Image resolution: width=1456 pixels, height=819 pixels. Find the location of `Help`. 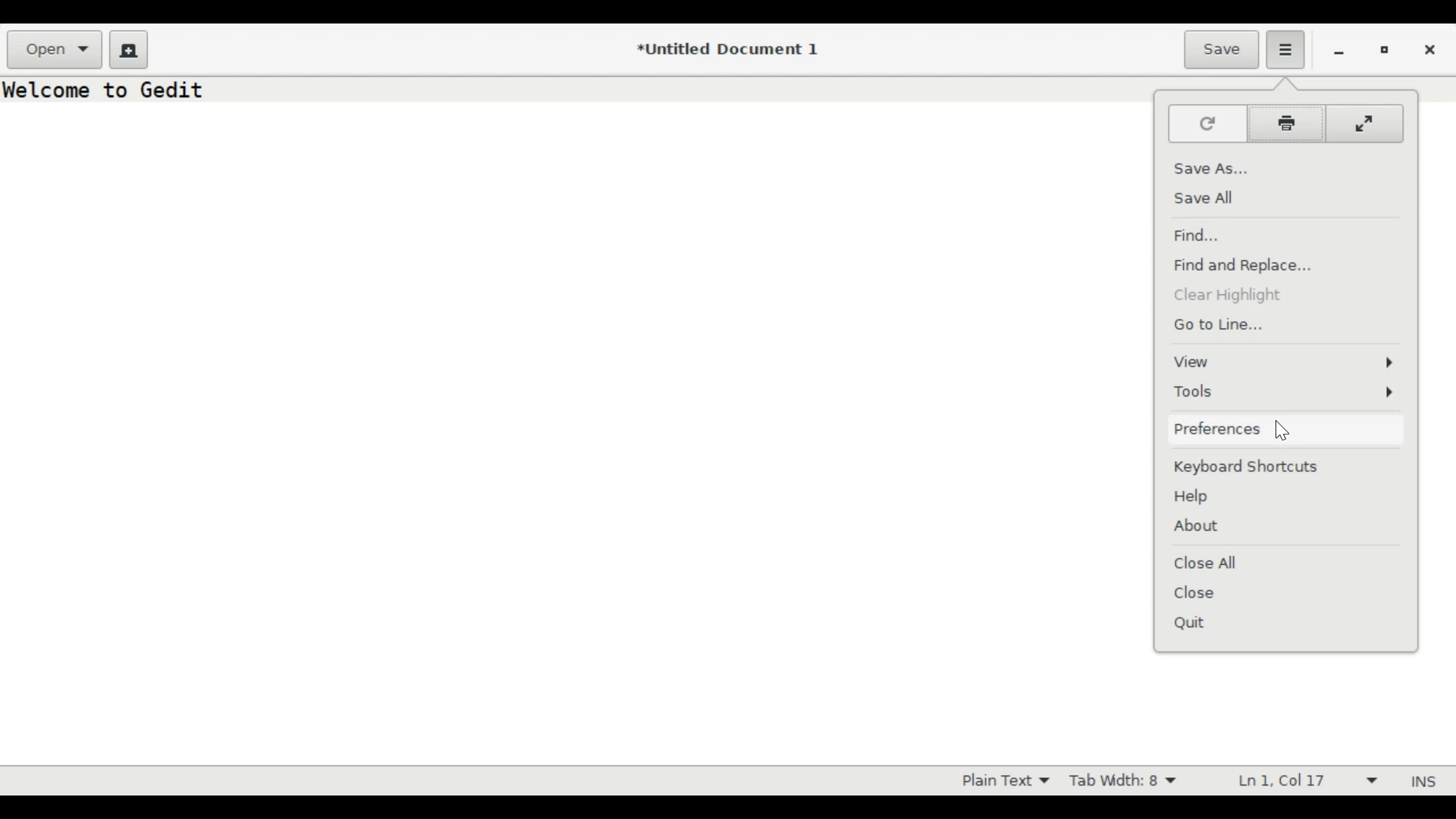

Help is located at coordinates (1197, 497).